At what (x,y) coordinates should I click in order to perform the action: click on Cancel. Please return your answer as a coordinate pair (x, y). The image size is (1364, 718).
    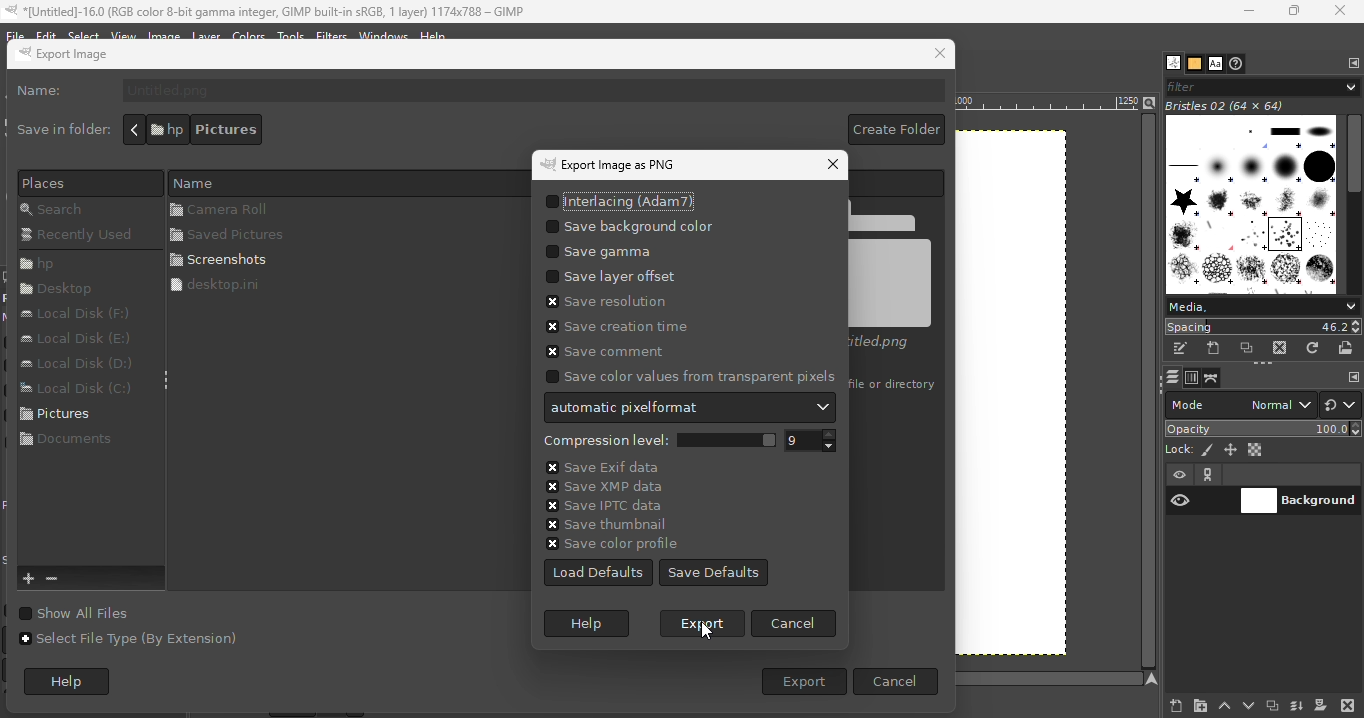
    Looking at the image, I should click on (795, 626).